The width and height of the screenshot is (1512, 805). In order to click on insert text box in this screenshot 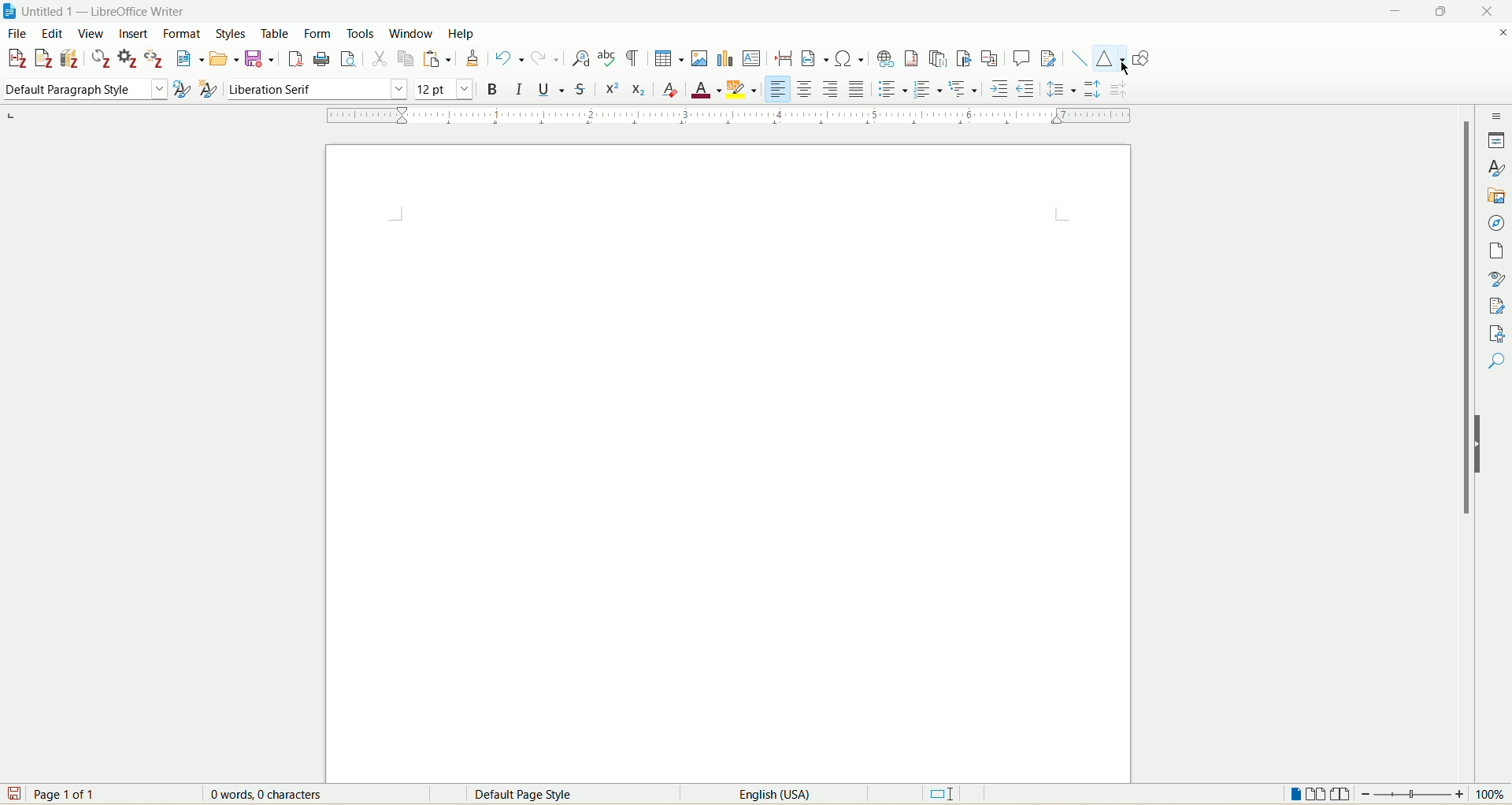, I will do `click(752, 57)`.